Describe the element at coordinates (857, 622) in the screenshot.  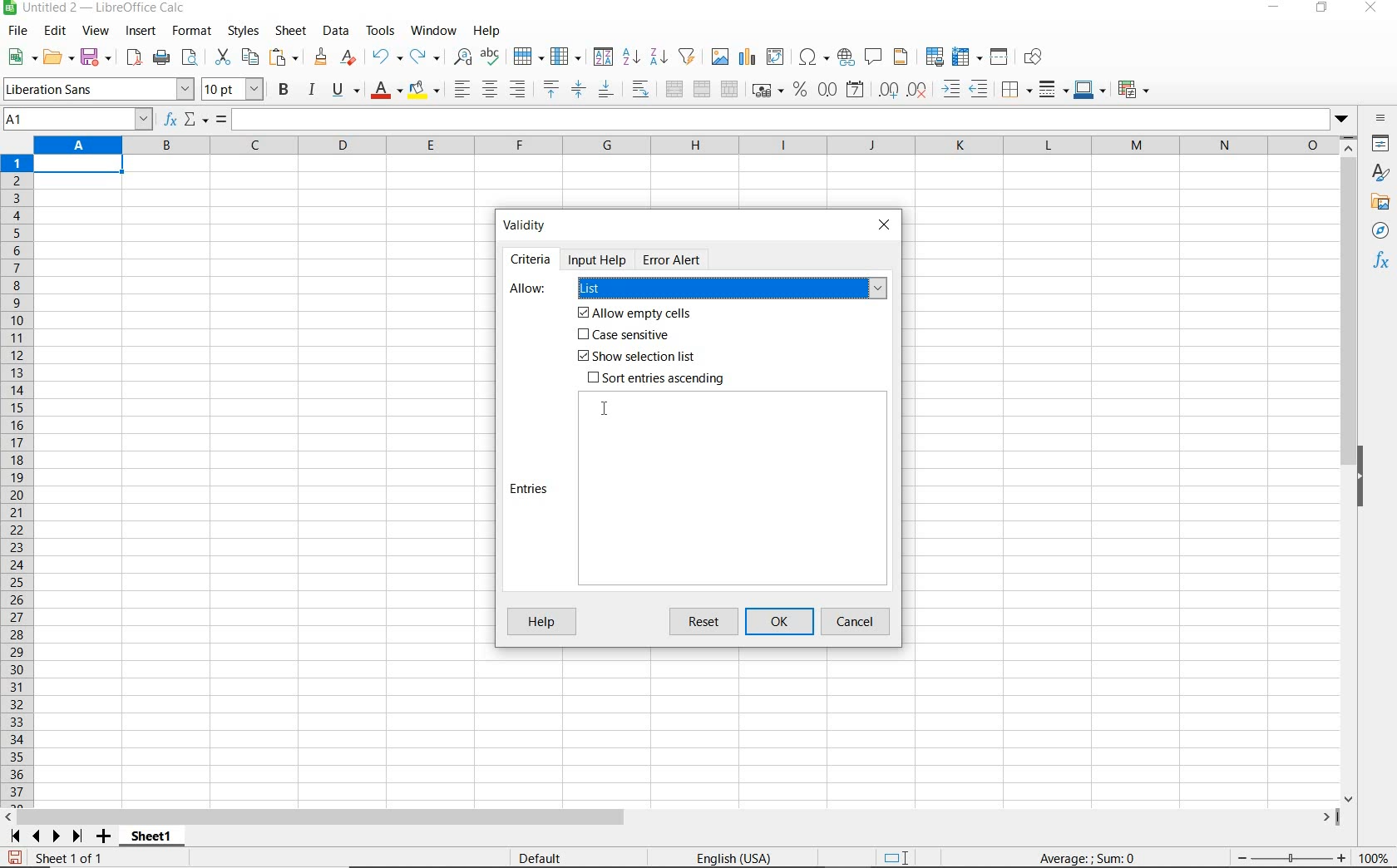
I see `cancel` at that location.